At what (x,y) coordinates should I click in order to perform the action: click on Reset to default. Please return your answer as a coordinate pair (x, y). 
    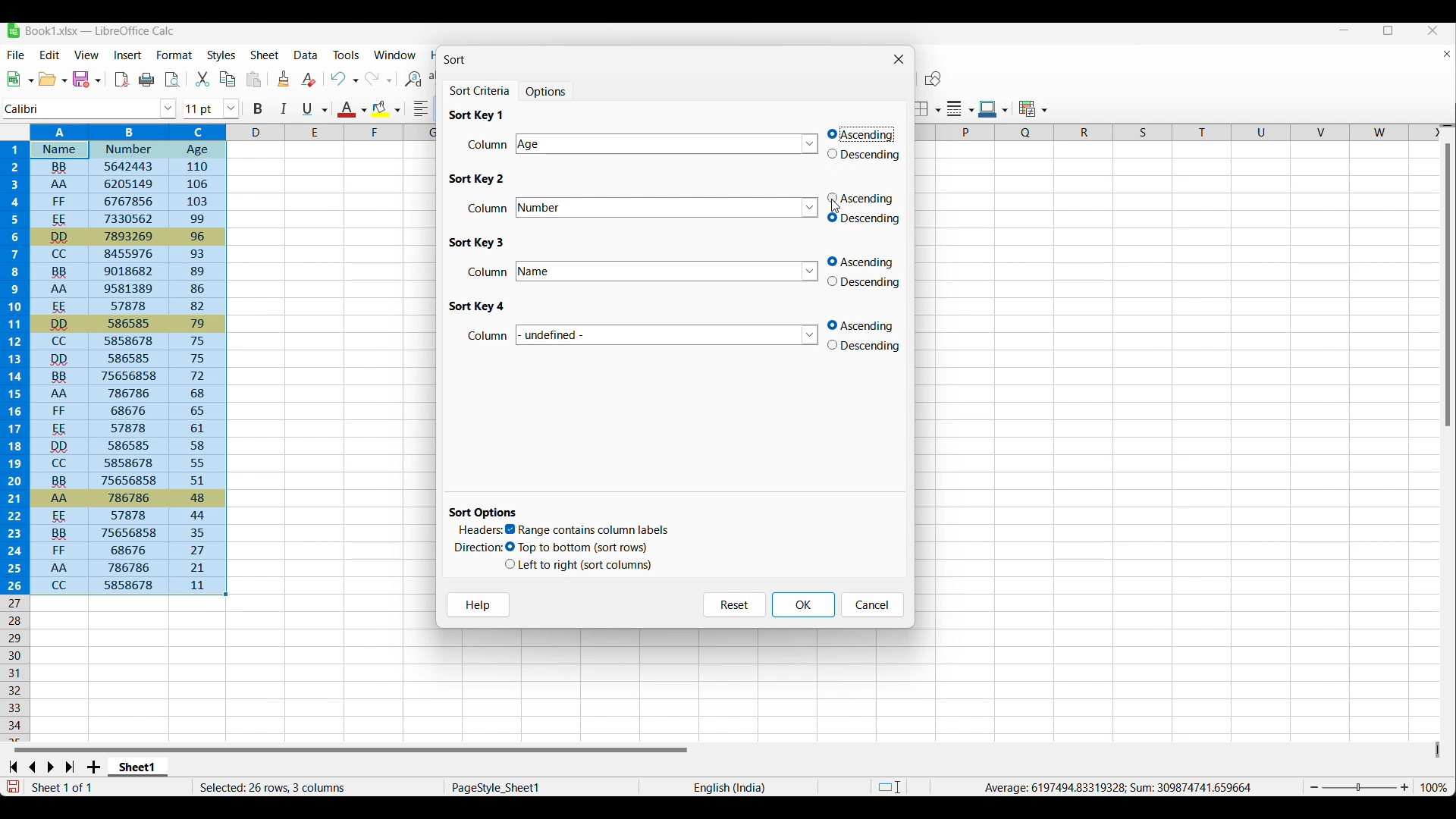
    Looking at the image, I should click on (734, 605).